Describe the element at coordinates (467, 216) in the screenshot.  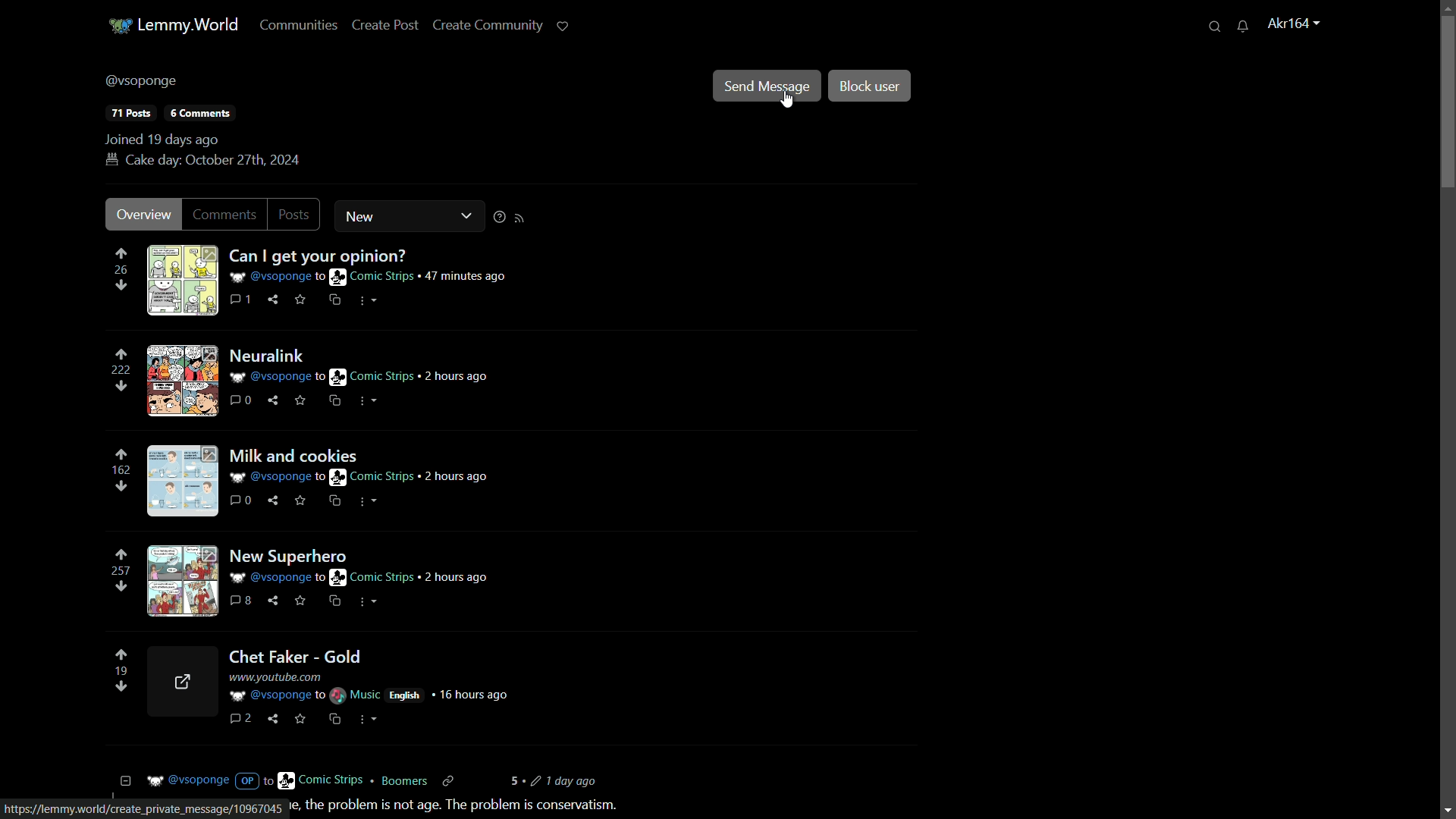
I see `dropdown` at that location.